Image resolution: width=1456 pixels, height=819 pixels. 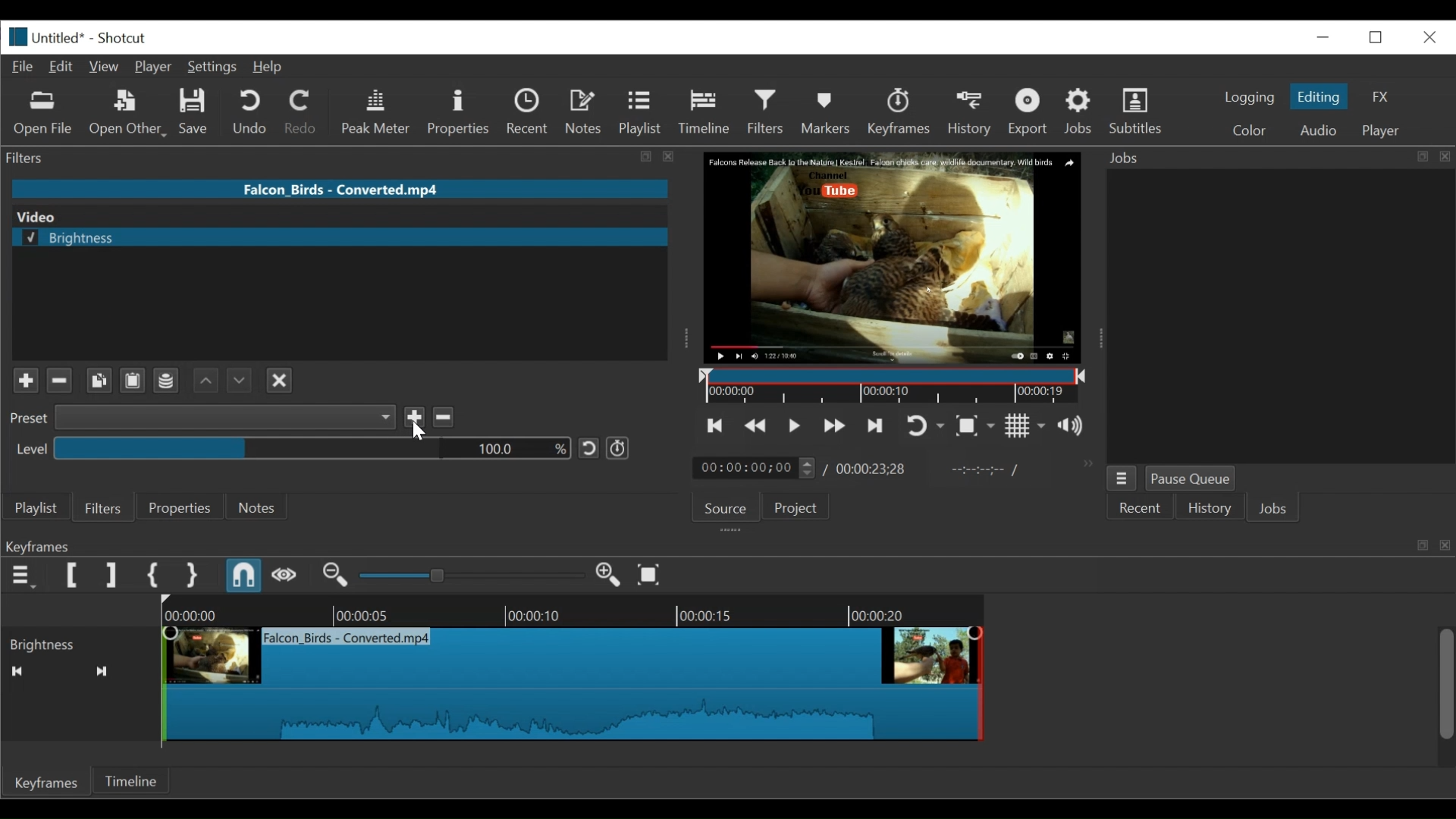 What do you see at coordinates (889, 384) in the screenshot?
I see `Timeline` at bounding box center [889, 384].